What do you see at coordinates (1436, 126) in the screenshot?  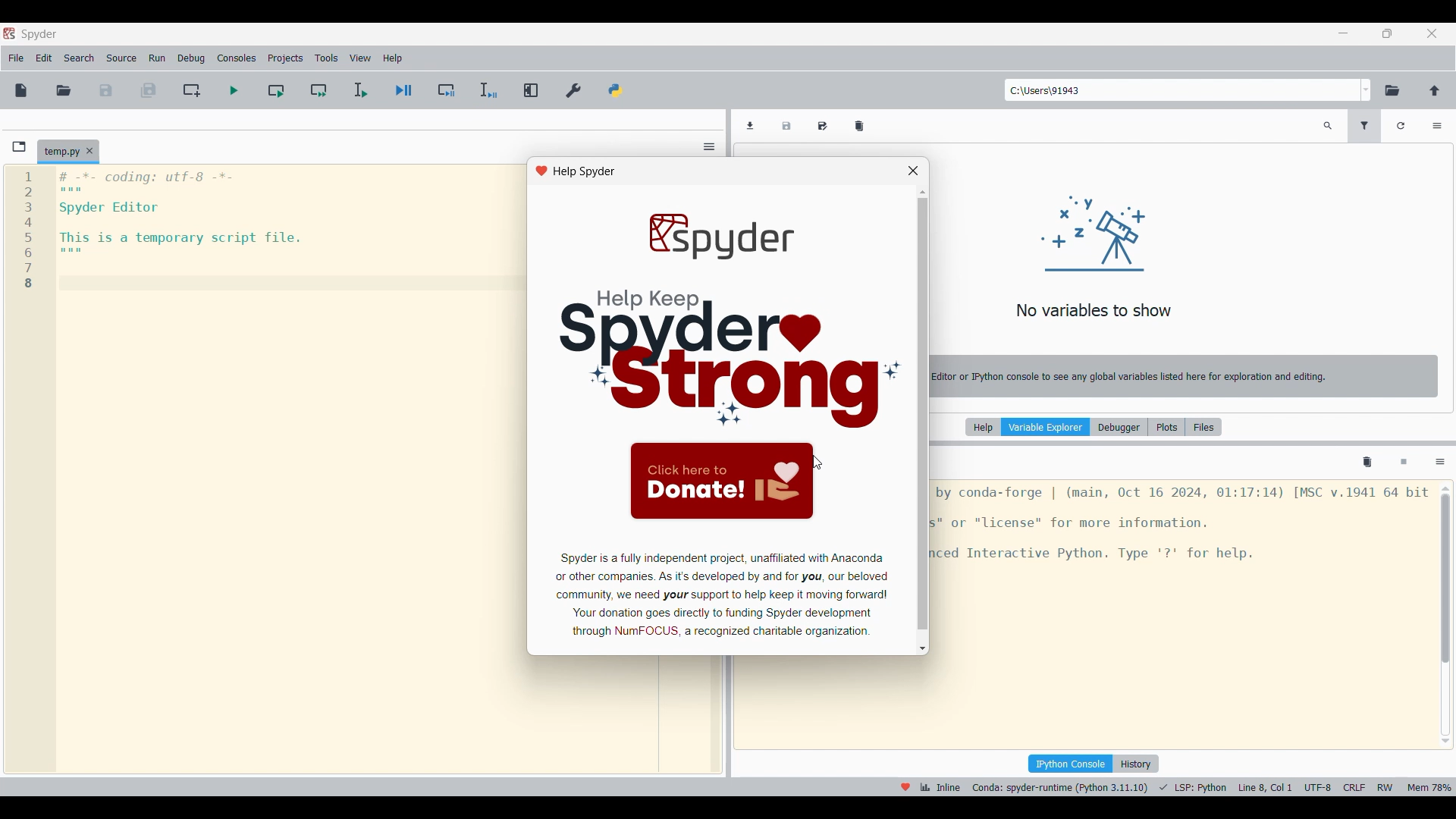 I see `Options` at bounding box center [1436, 126].